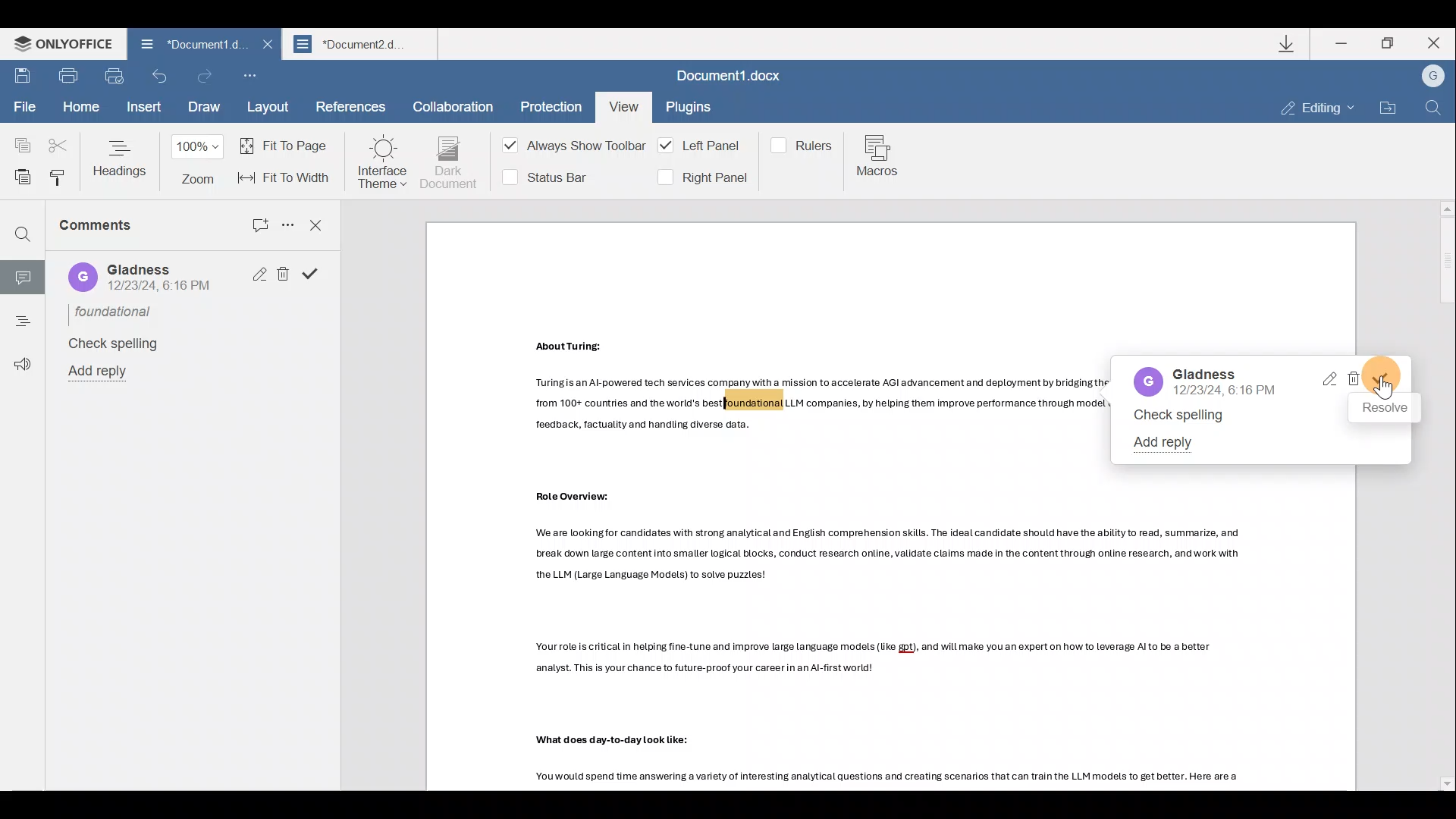  What do you see at coordinates (21, 316) in the screenshot?
I see `Headings` at bounding box center [21, 316].